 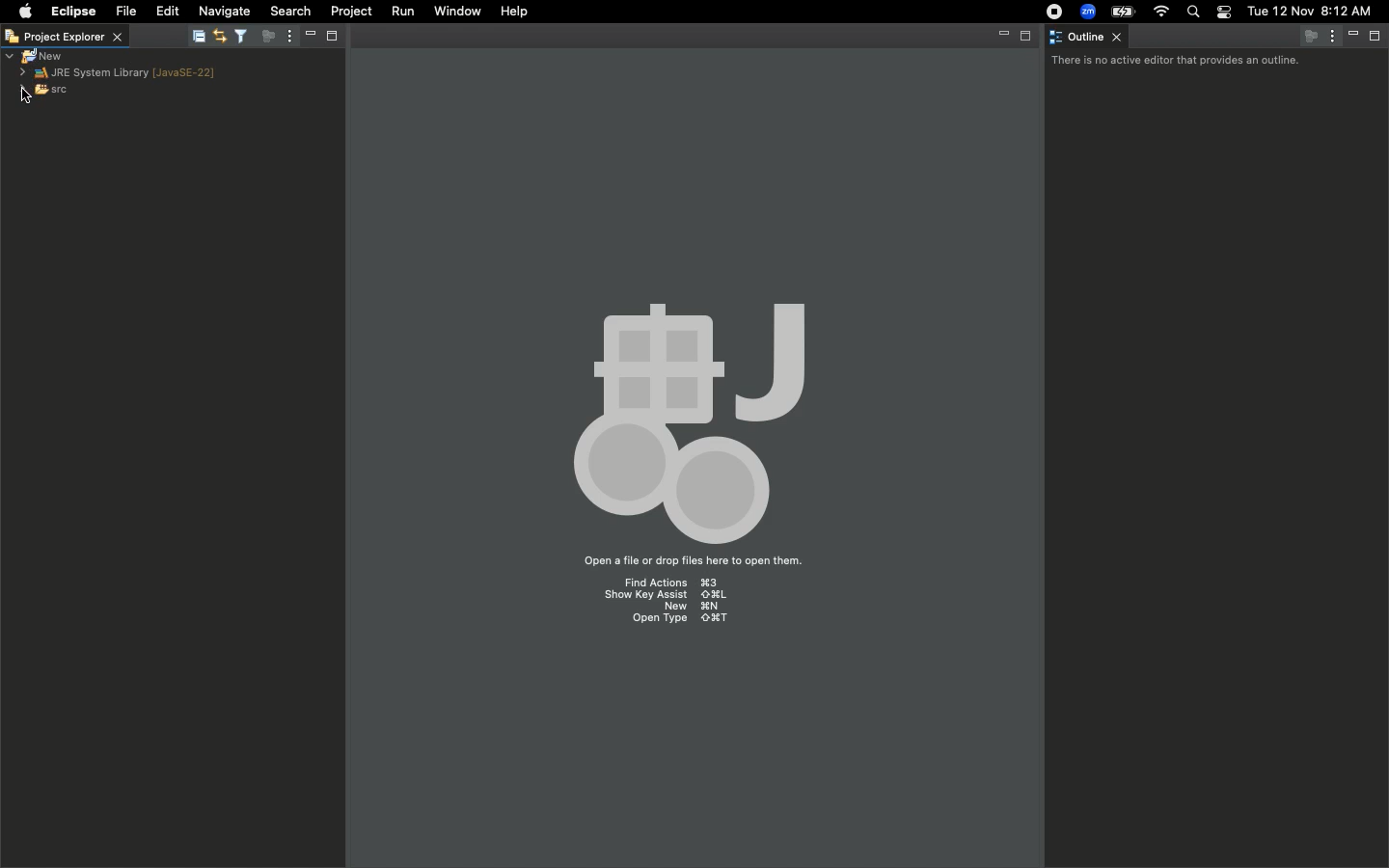 What do you see at coordinates (665, 594) in the screenshot?
I see `Show key assist` at bounding box center [665, 594].